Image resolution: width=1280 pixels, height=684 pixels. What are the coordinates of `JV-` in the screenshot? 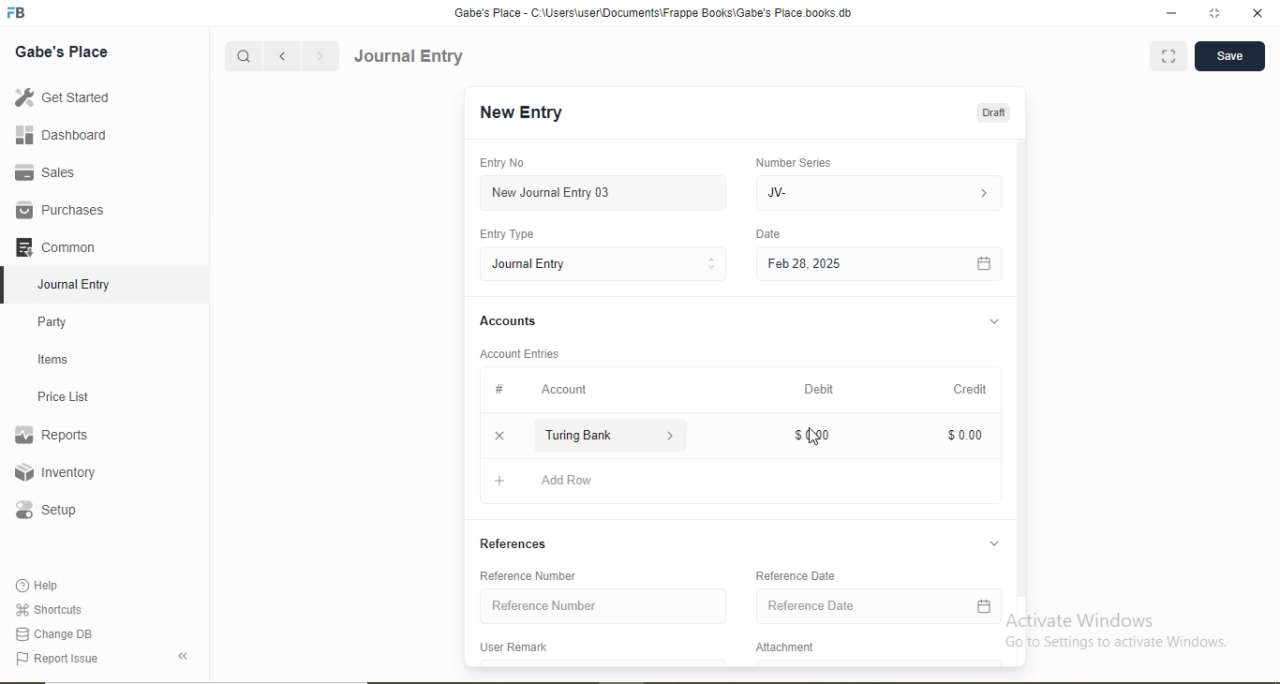 It's located at (777, 193).